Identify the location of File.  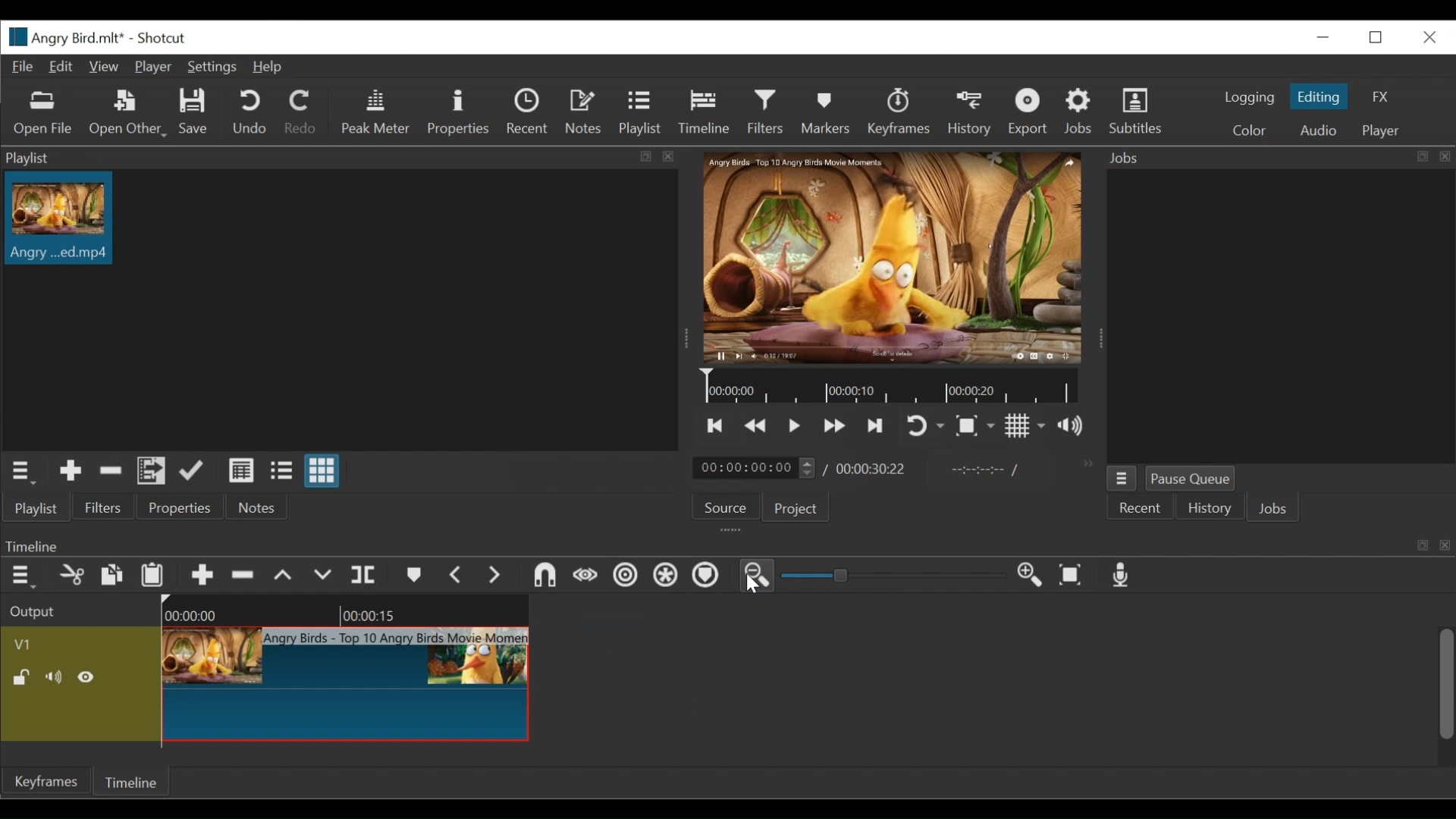
(24, 67).